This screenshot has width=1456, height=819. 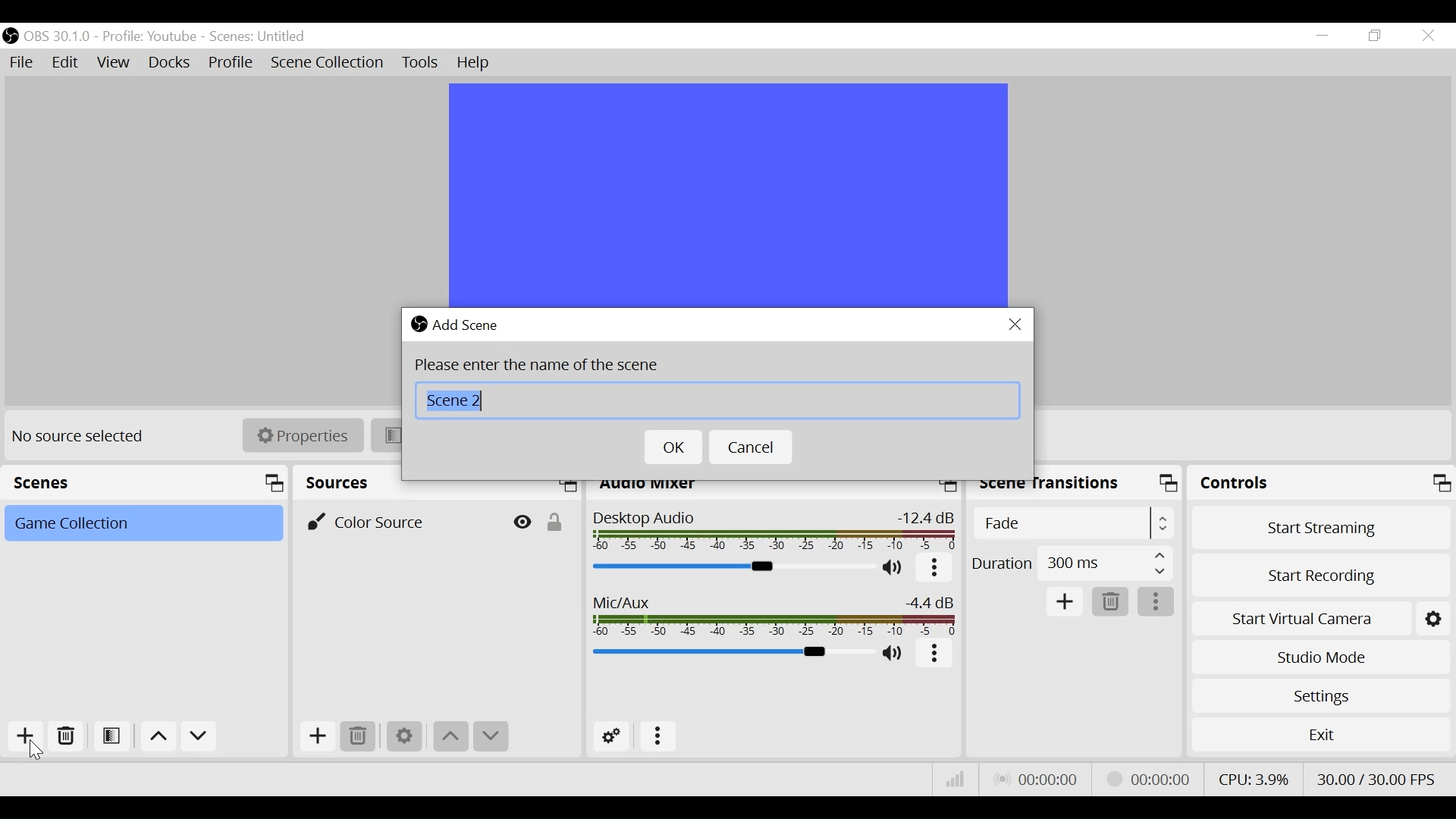 What do you see at coordinates (1072, 563) in the screenshot?
I see `(un)select Duration` at bounding box center [1072, 563].